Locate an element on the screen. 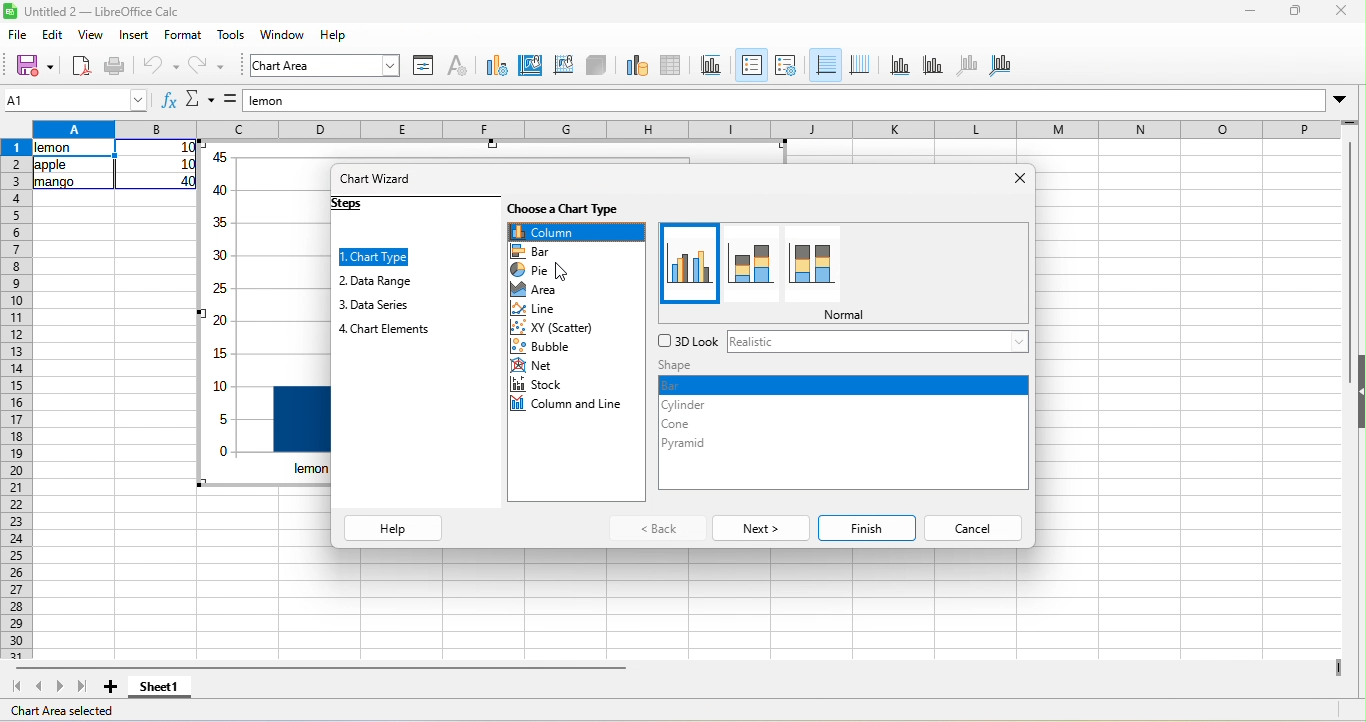 This screenshot has width=1366, height=722. chart wall is located at coordinates (562, 65).